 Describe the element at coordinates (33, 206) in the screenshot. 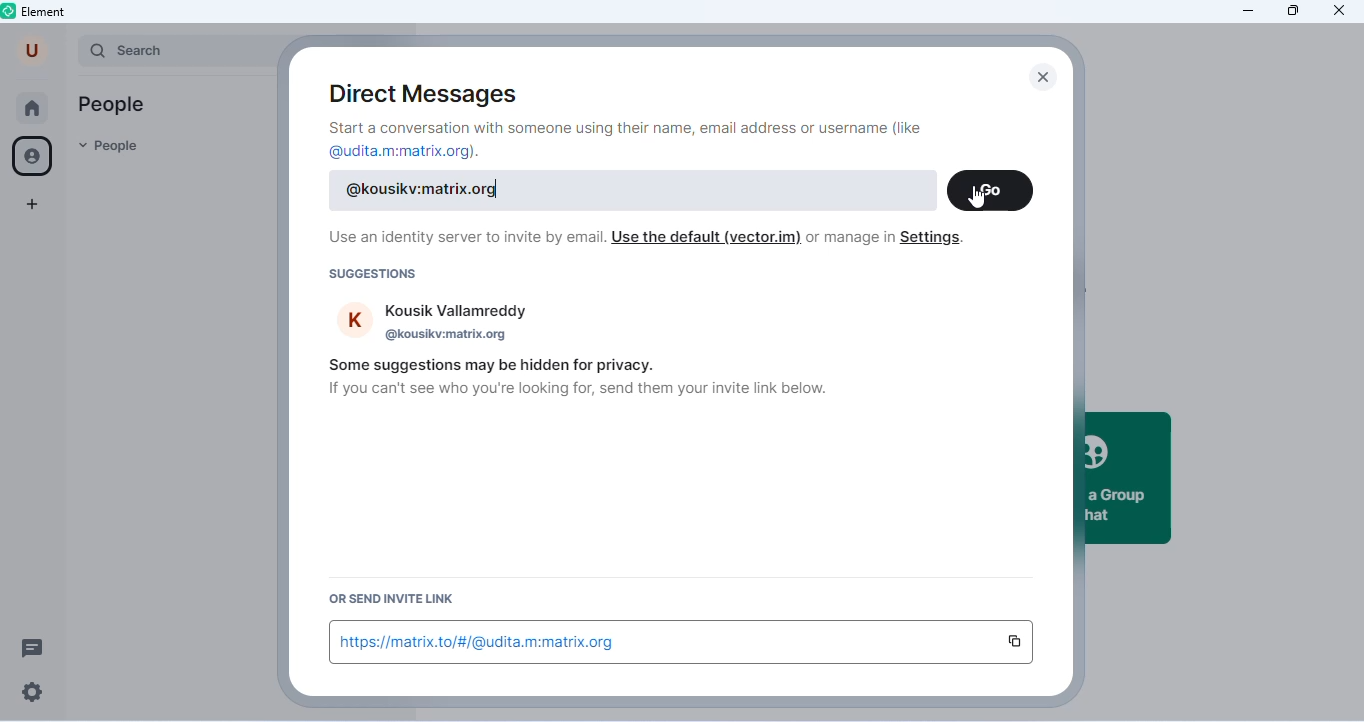

I see `create a space` at that location.